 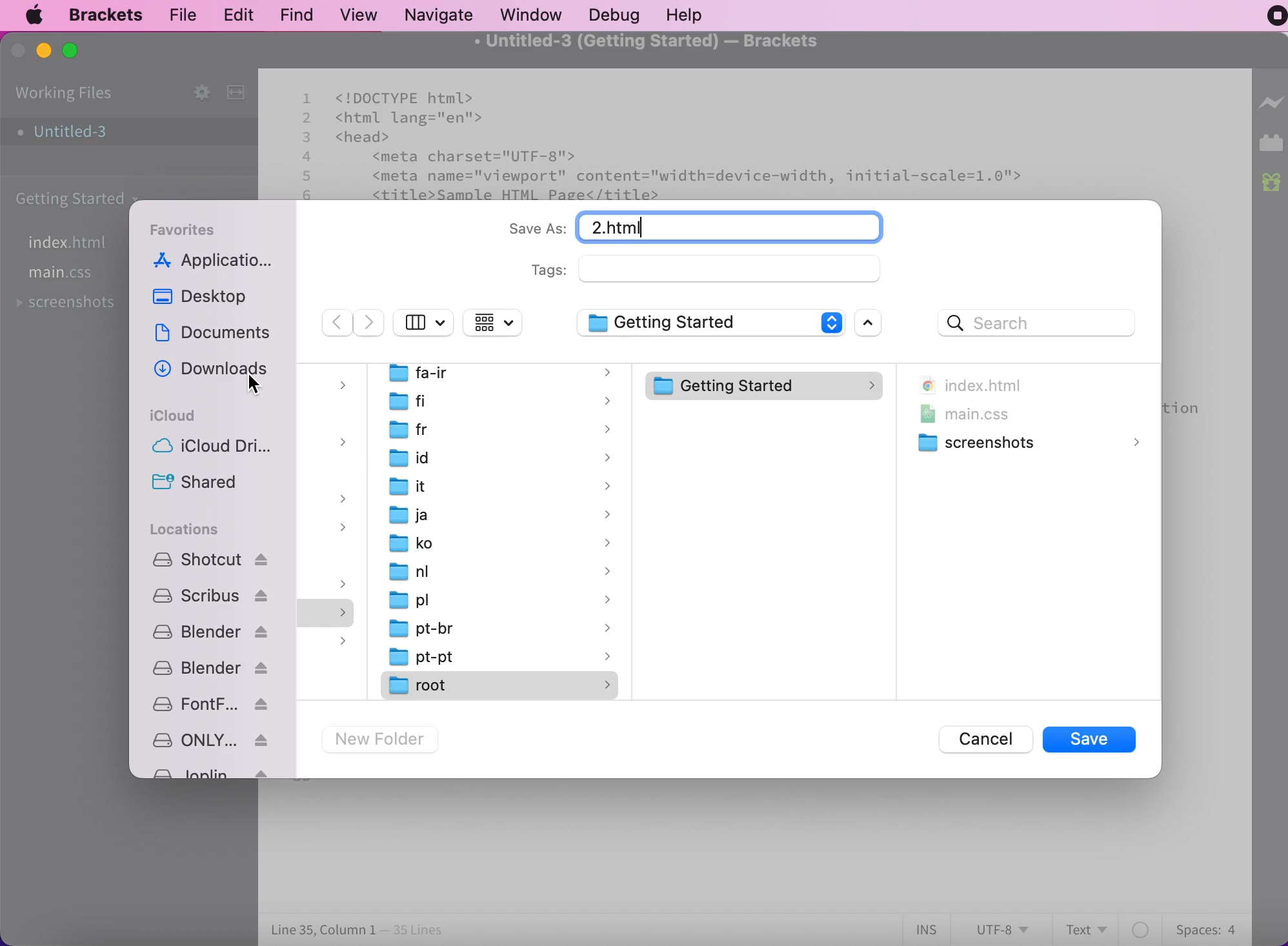 What do you see at coordinates (254, 385) in the screenshot?
I see `cursor` at bounding box center [254, 385].